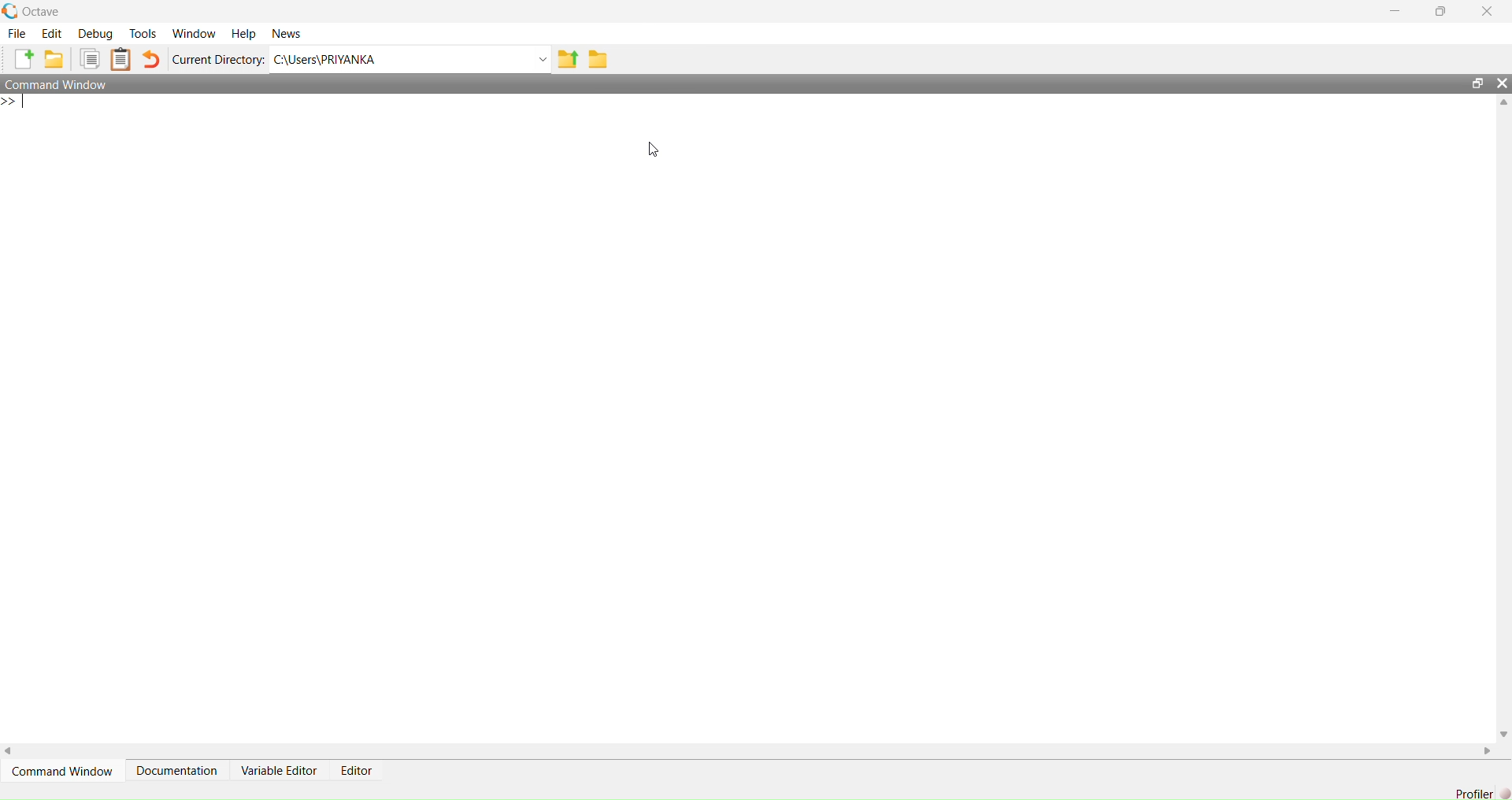 The width and height of the screenshot is (1512, 800). What do you see at coordinates (749, 750) in the screenshot?
I see `horizontal scroll bar` at bounding box center [749, 750].